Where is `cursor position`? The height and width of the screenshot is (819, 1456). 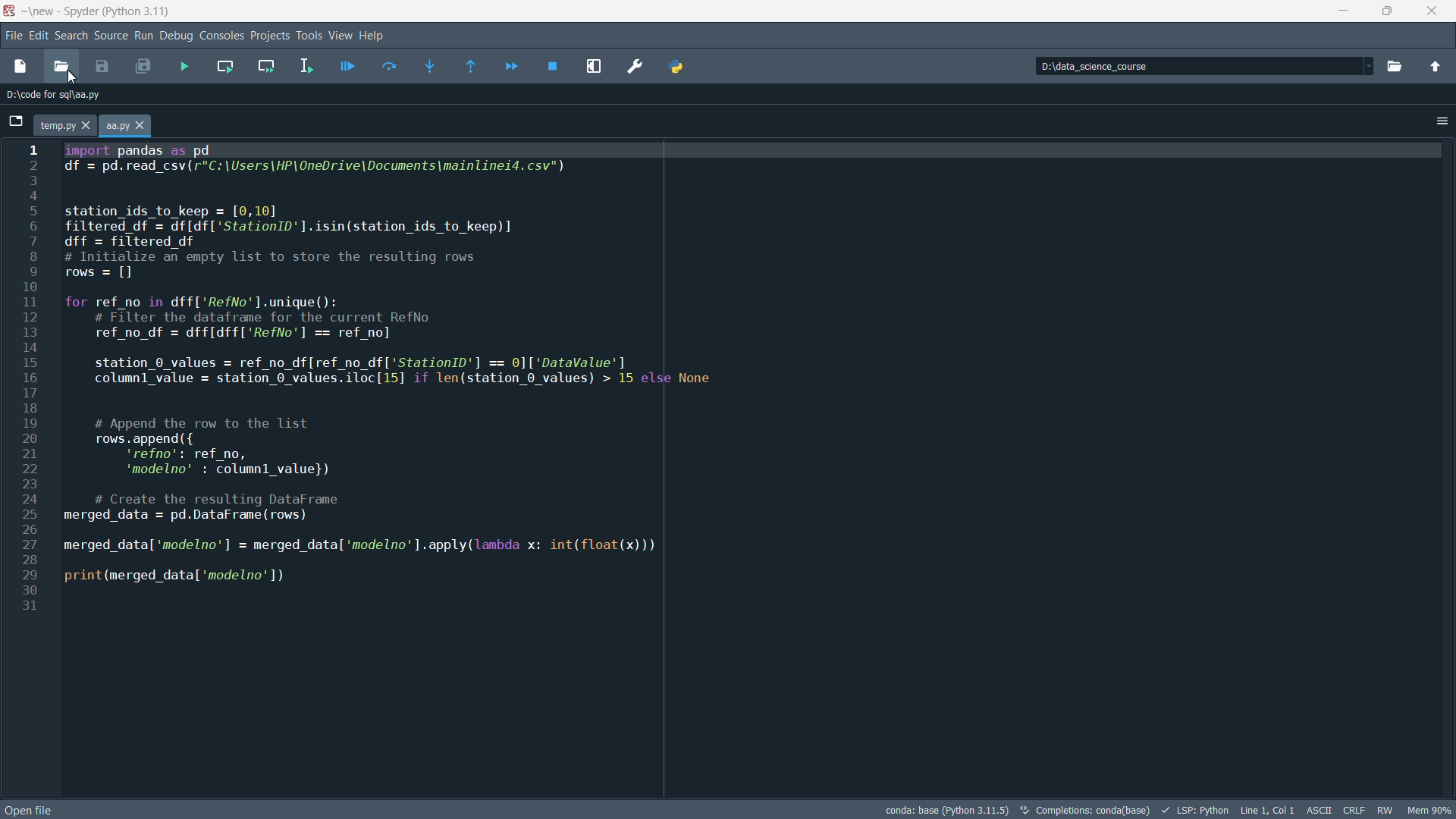
cursor position is located at coordinates (1268, 809).